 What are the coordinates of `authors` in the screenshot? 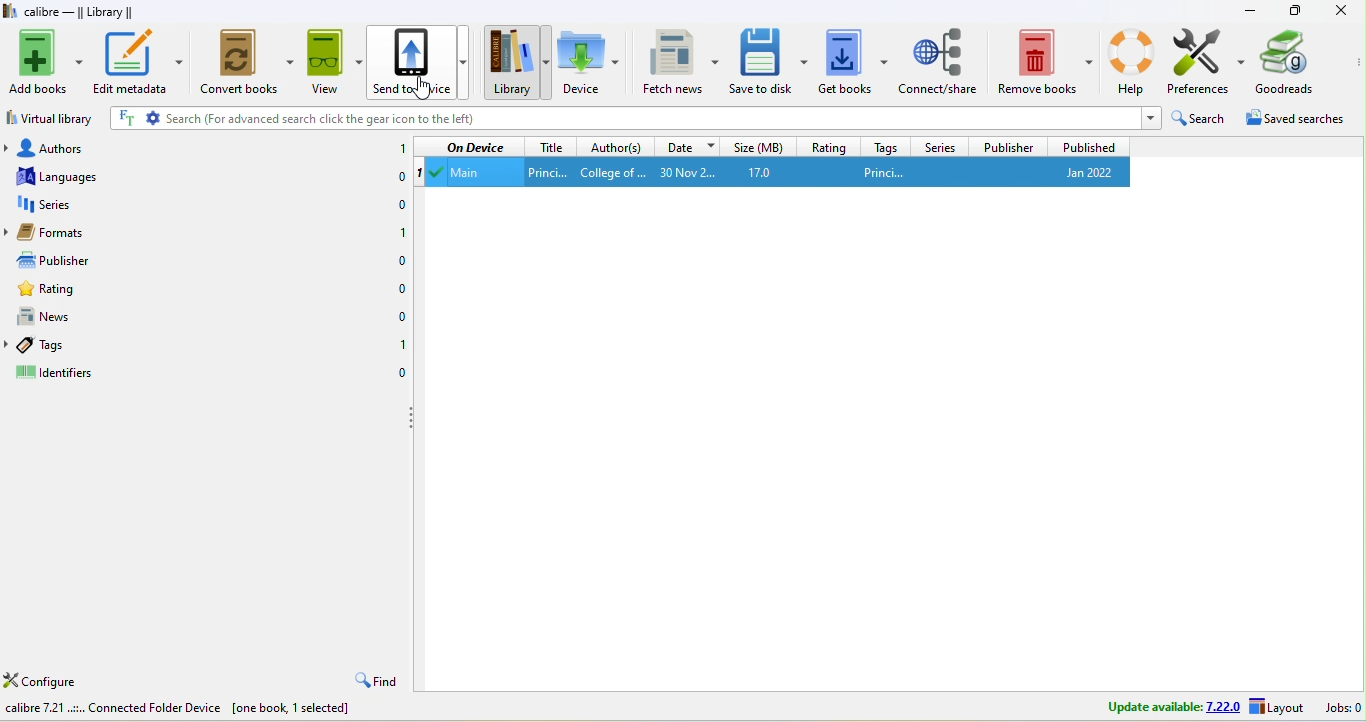 It's located at (186, 149).